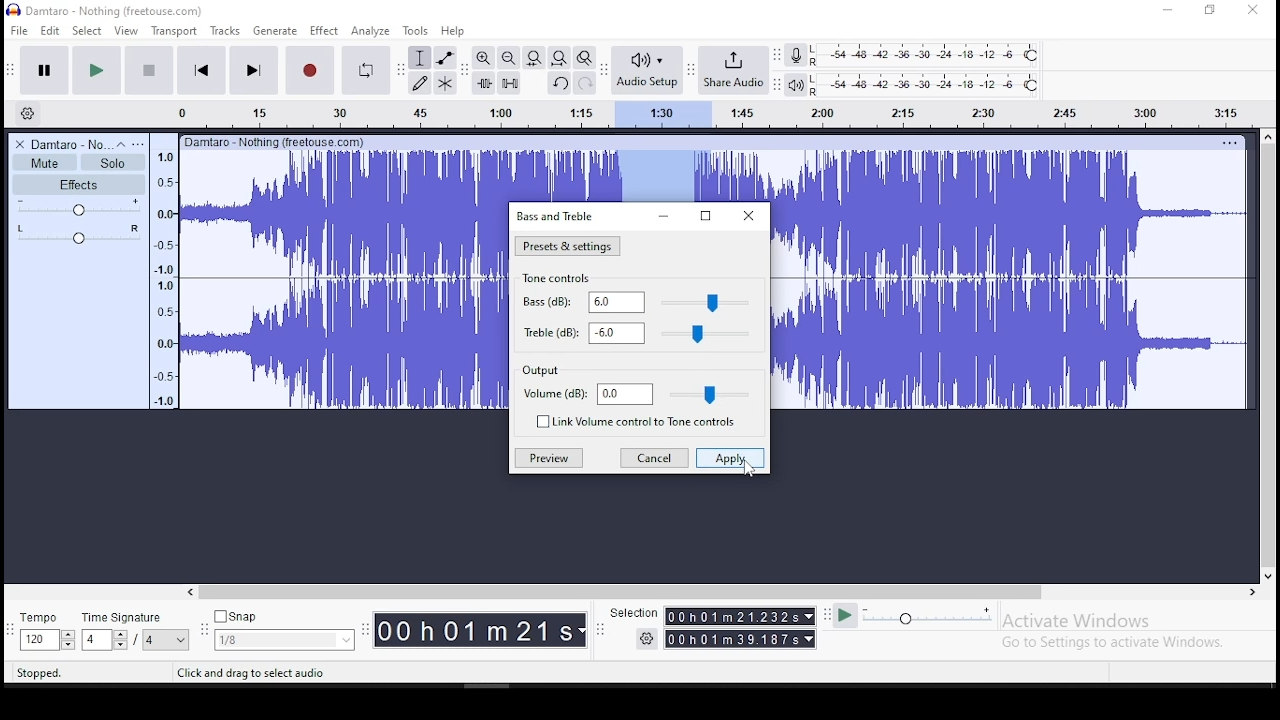 The image size is (1280, 720). I want to click on control, so click(708, 335).